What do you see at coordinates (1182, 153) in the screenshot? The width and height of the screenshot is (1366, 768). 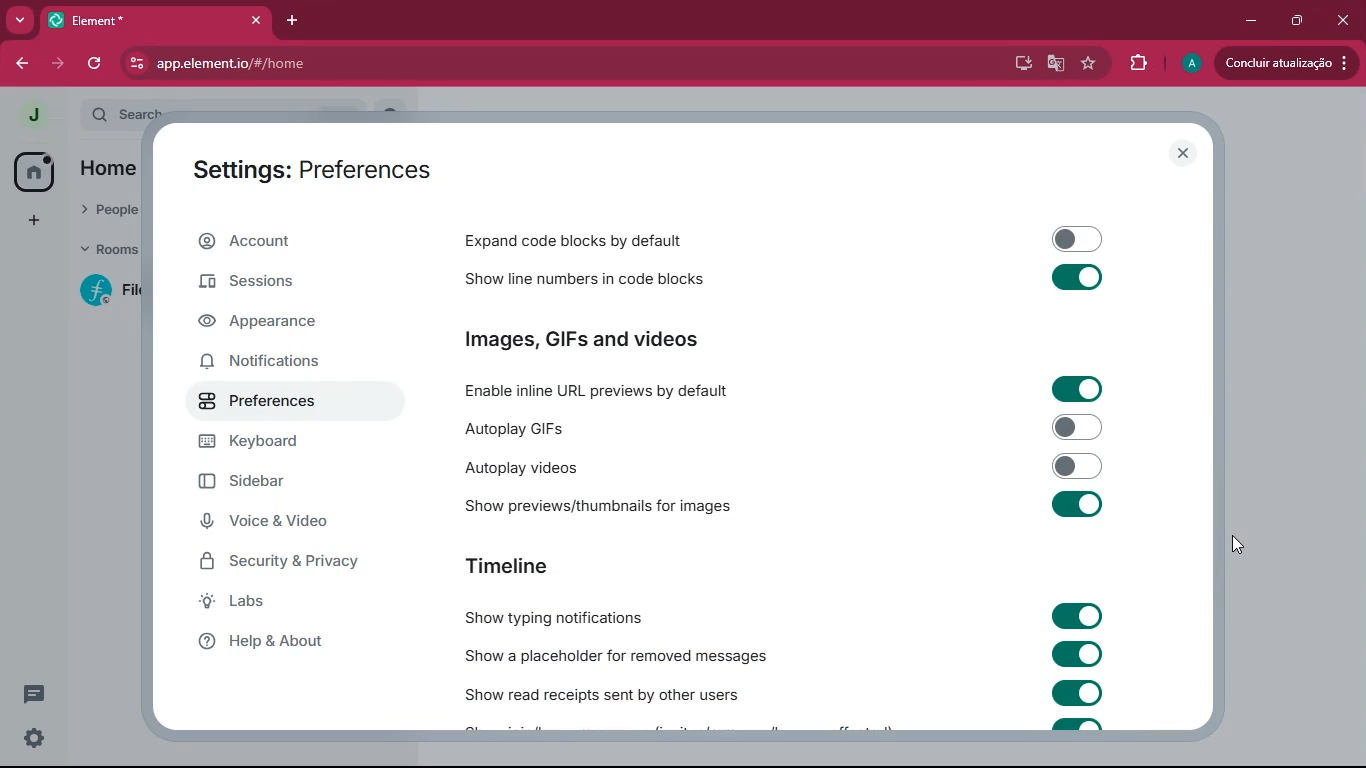 I see `close` at bounding box center [1182, 153].